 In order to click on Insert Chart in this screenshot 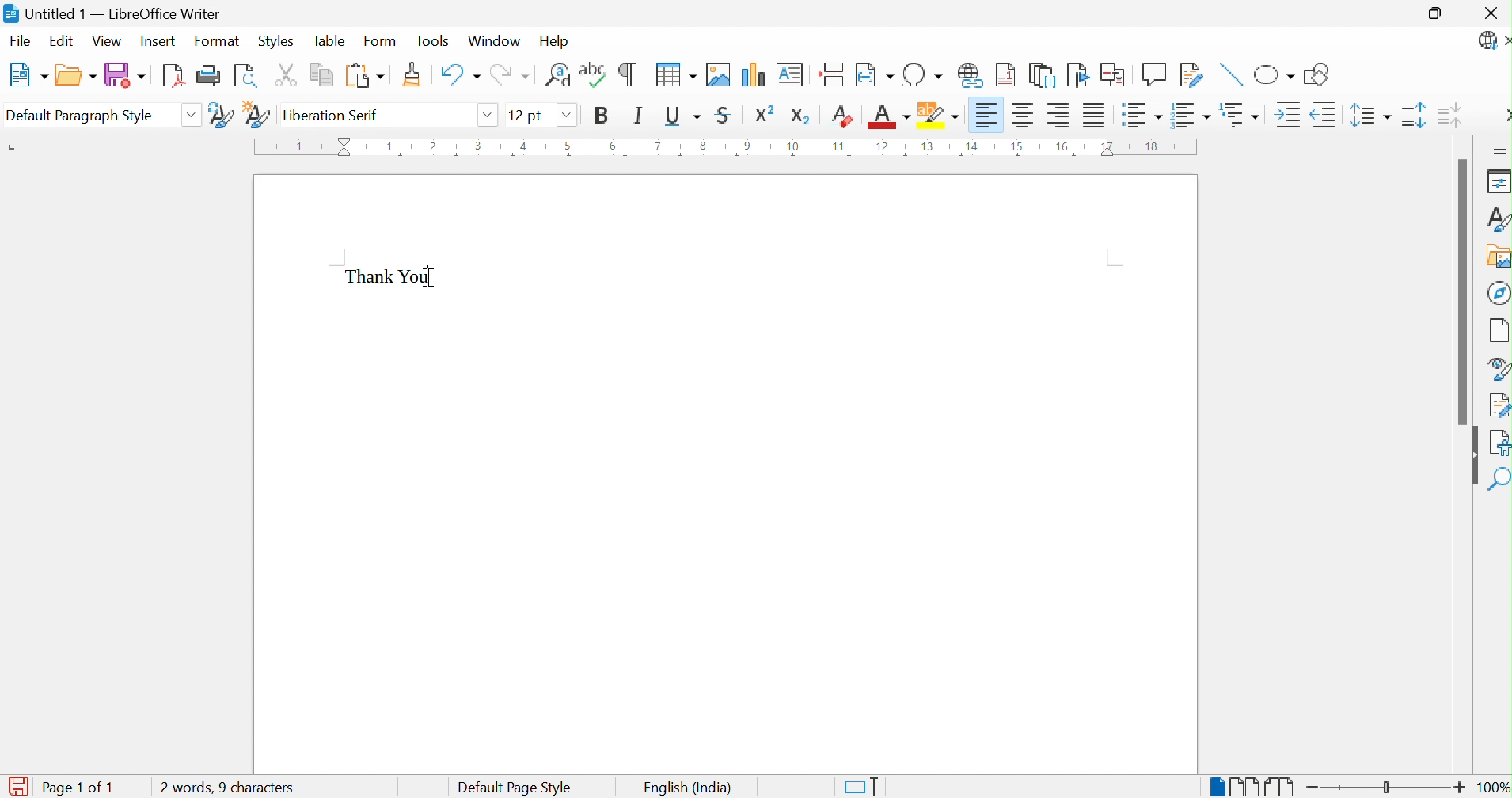, I will do `click(752, 74)`.